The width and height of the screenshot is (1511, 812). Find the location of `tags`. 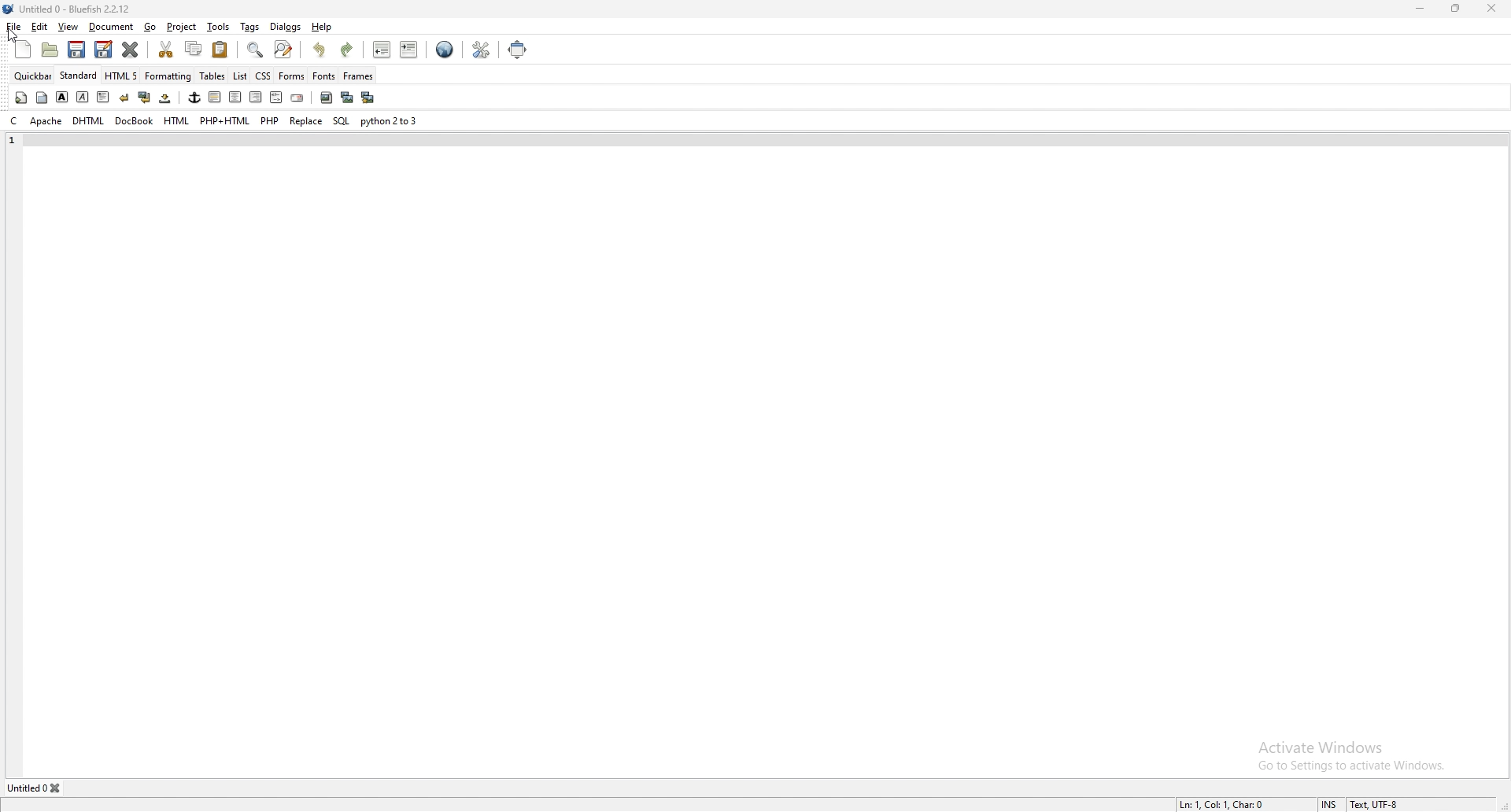

tags is located at coordinates (250, 26).